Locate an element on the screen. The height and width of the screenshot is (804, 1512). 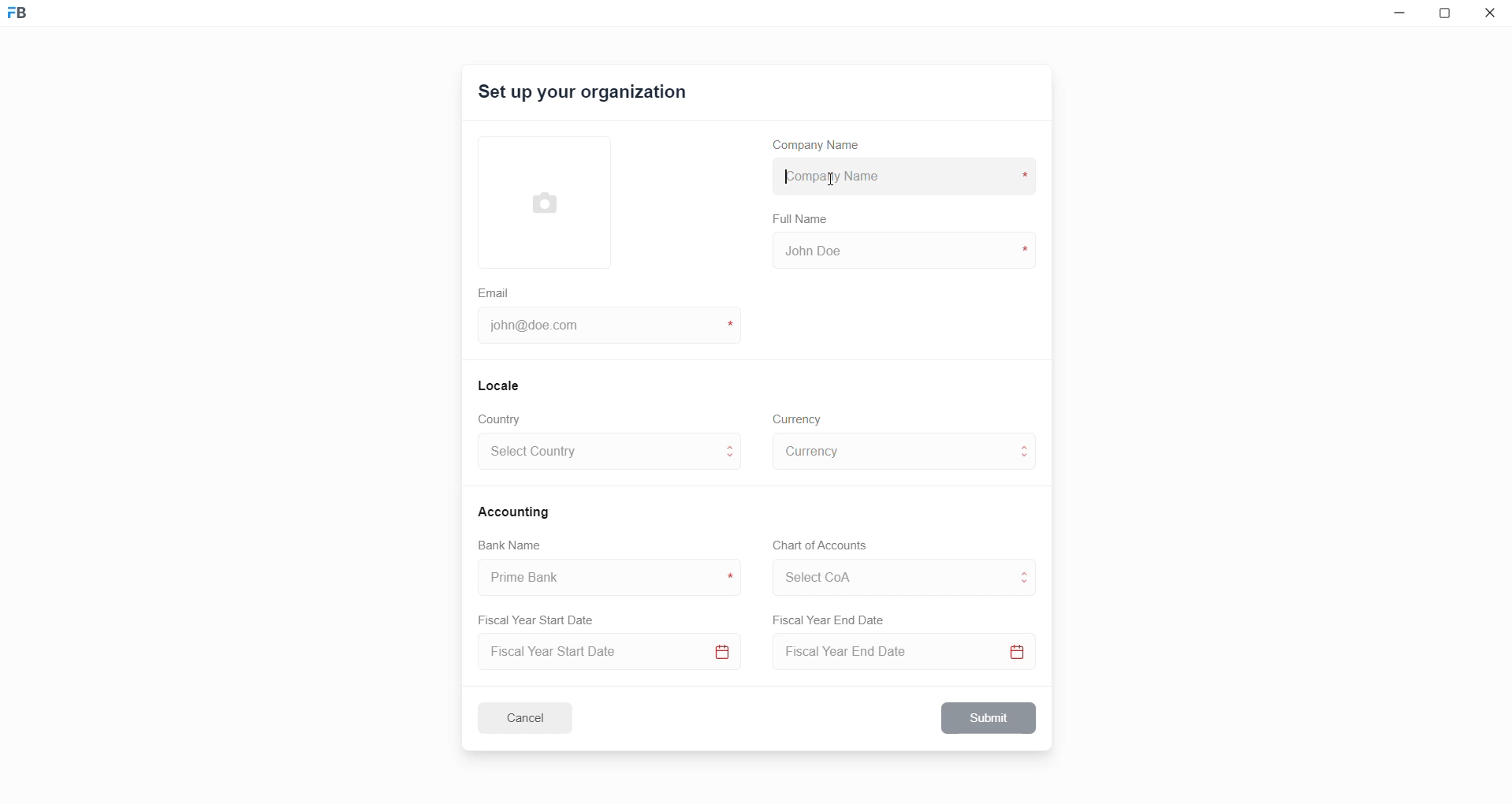
move to below country is located at coordinates (733, 461).